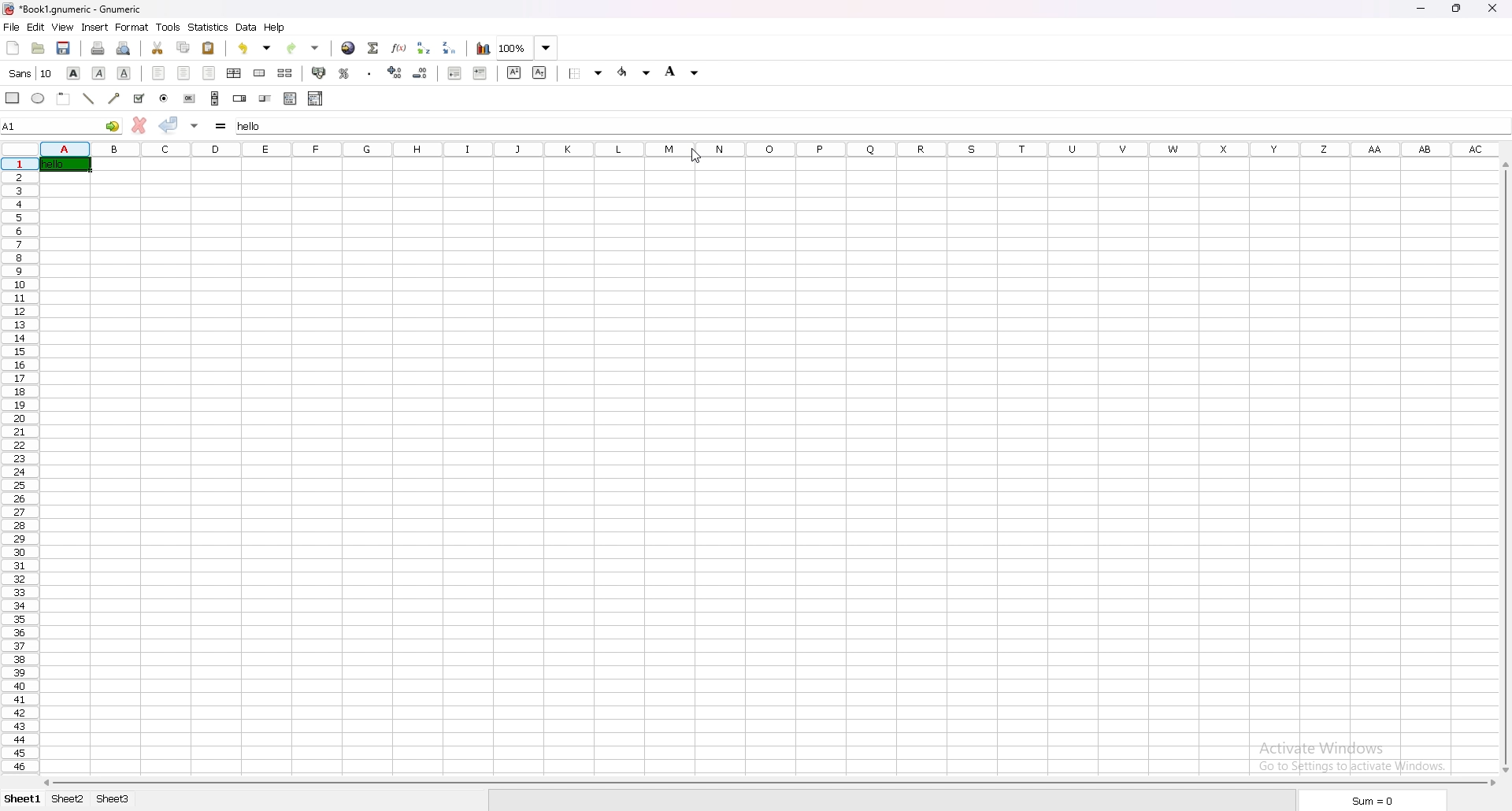 This screenshot has width=1512, height=811. I want to click on paste, so click(209, 48).